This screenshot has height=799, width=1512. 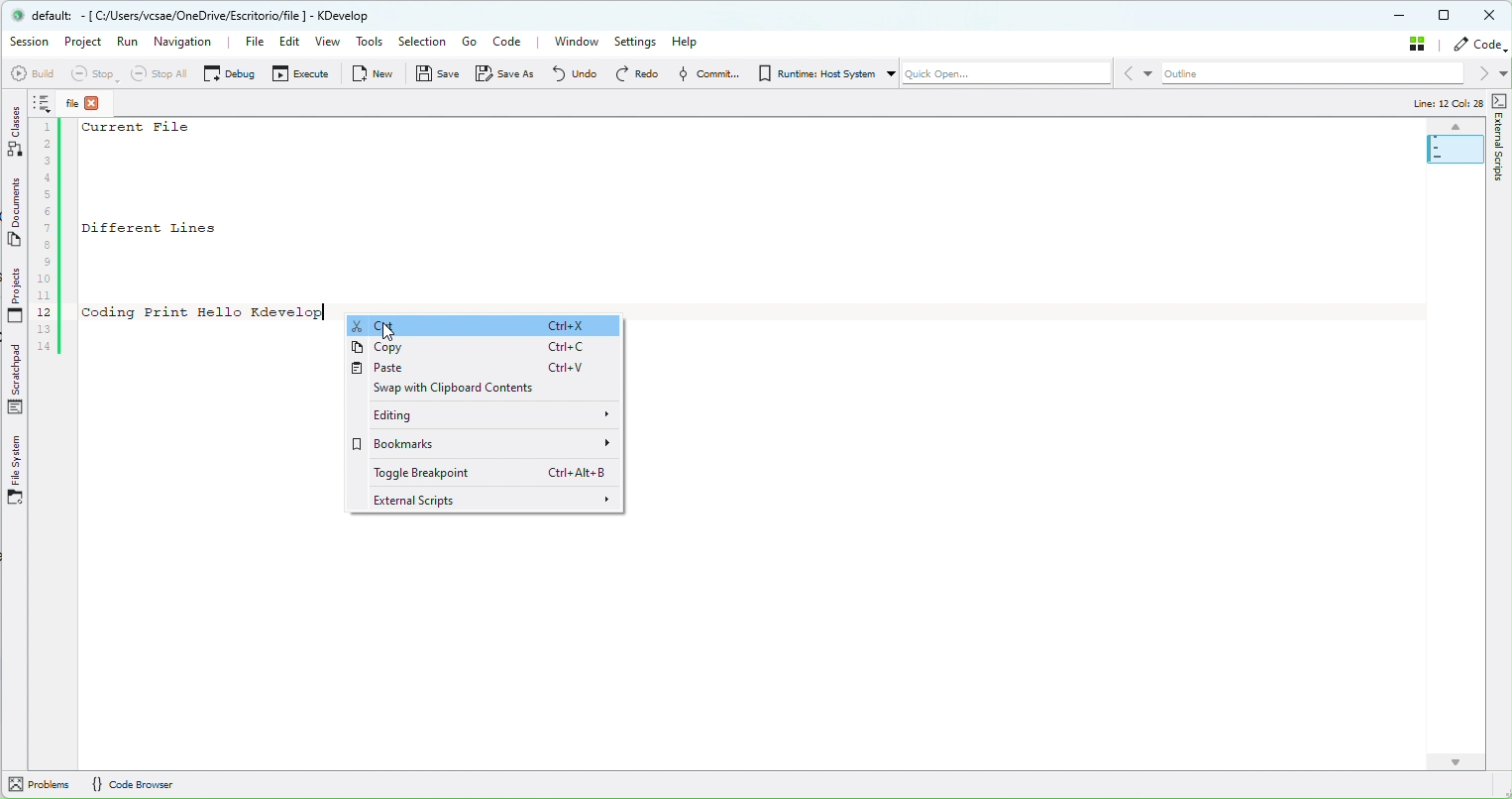 I want to click on Debug, so click(x=227, y=72).